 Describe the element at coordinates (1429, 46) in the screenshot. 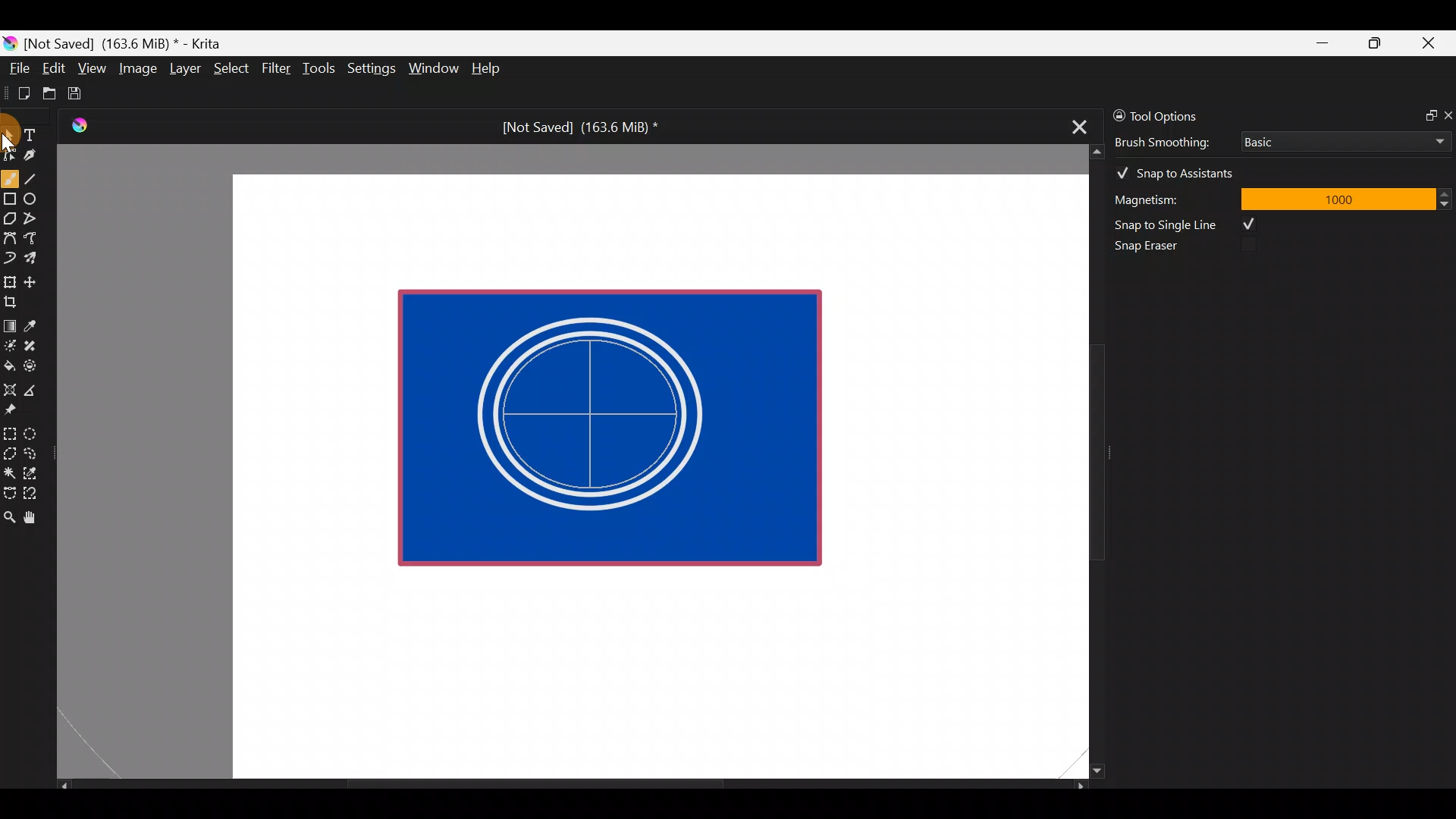

I see `Close` at that location.